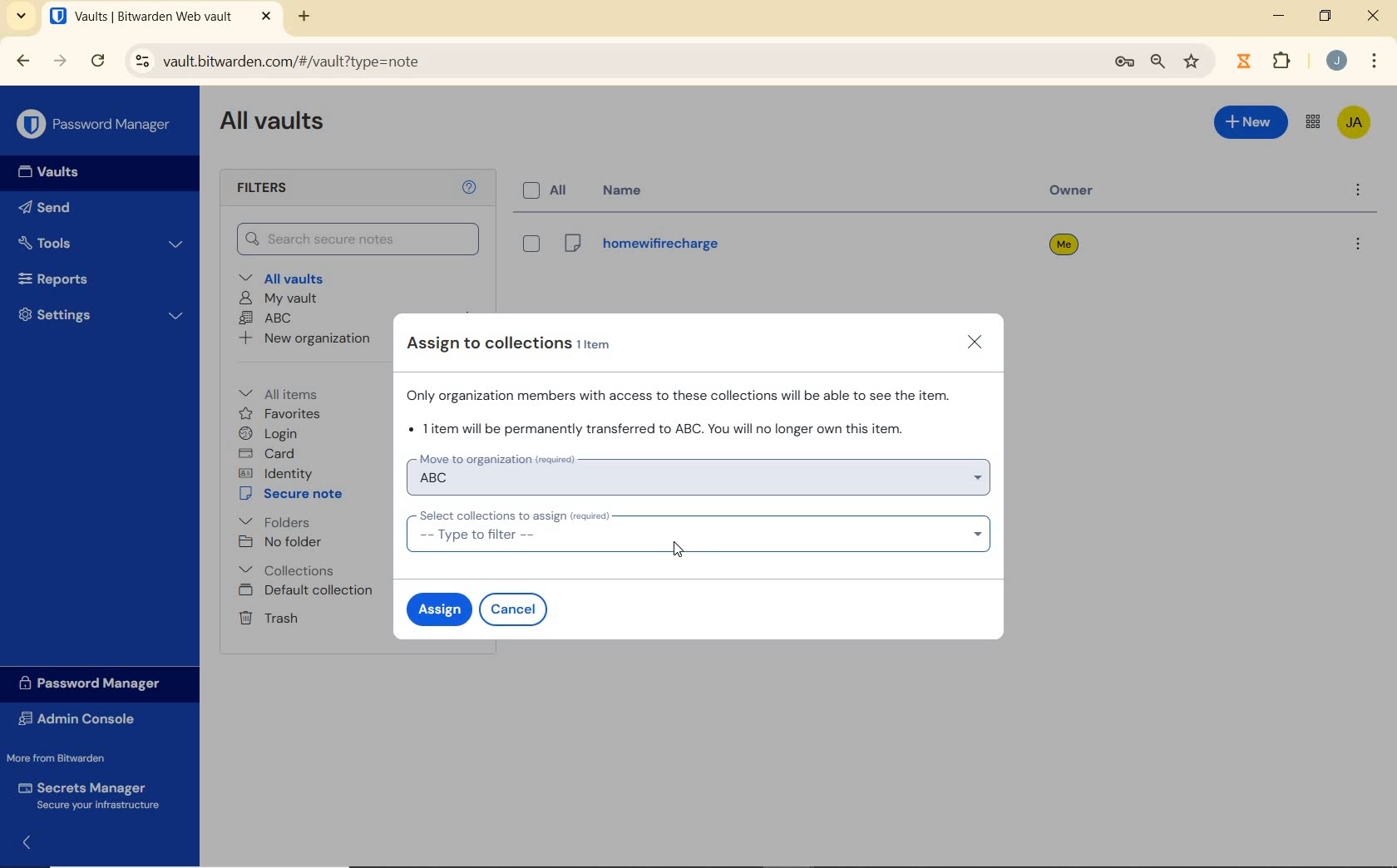 This screenshot has width=1397, height=868. What do you see at coordinates (1279, 15) in the screenshot?
I see `minimize` at bounding box center [1279, 15].